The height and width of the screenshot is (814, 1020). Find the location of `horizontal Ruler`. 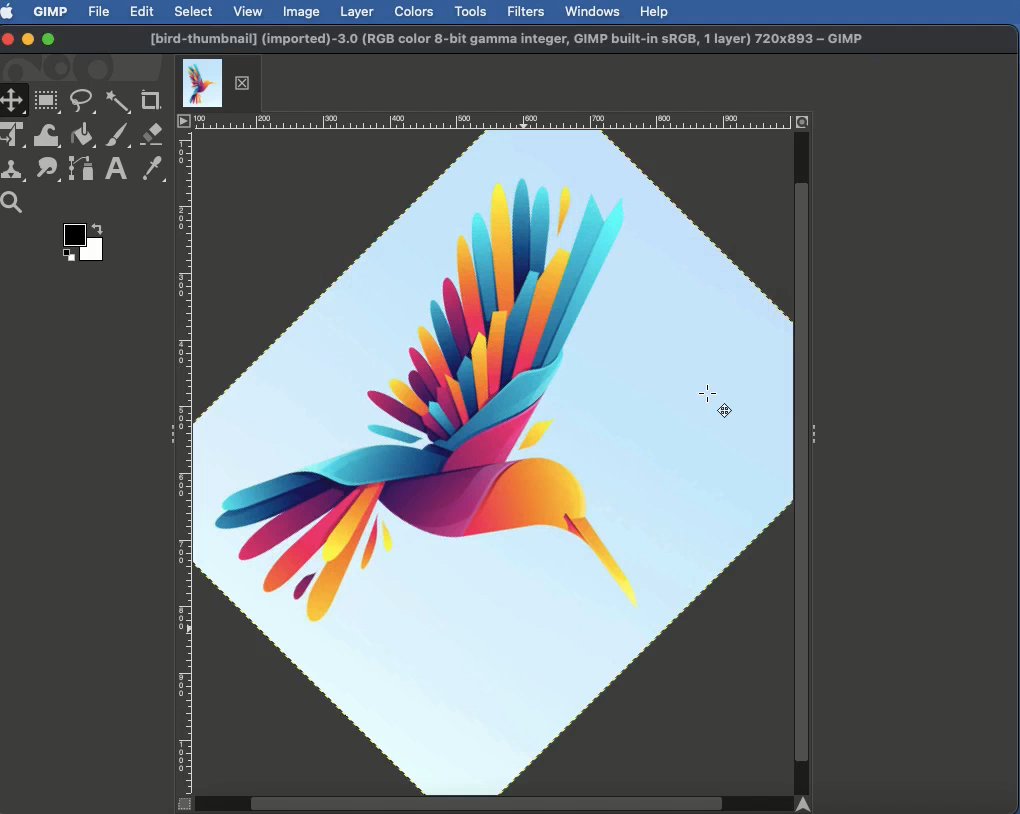

horizontal Ruler is located at coordinates (492, 121).